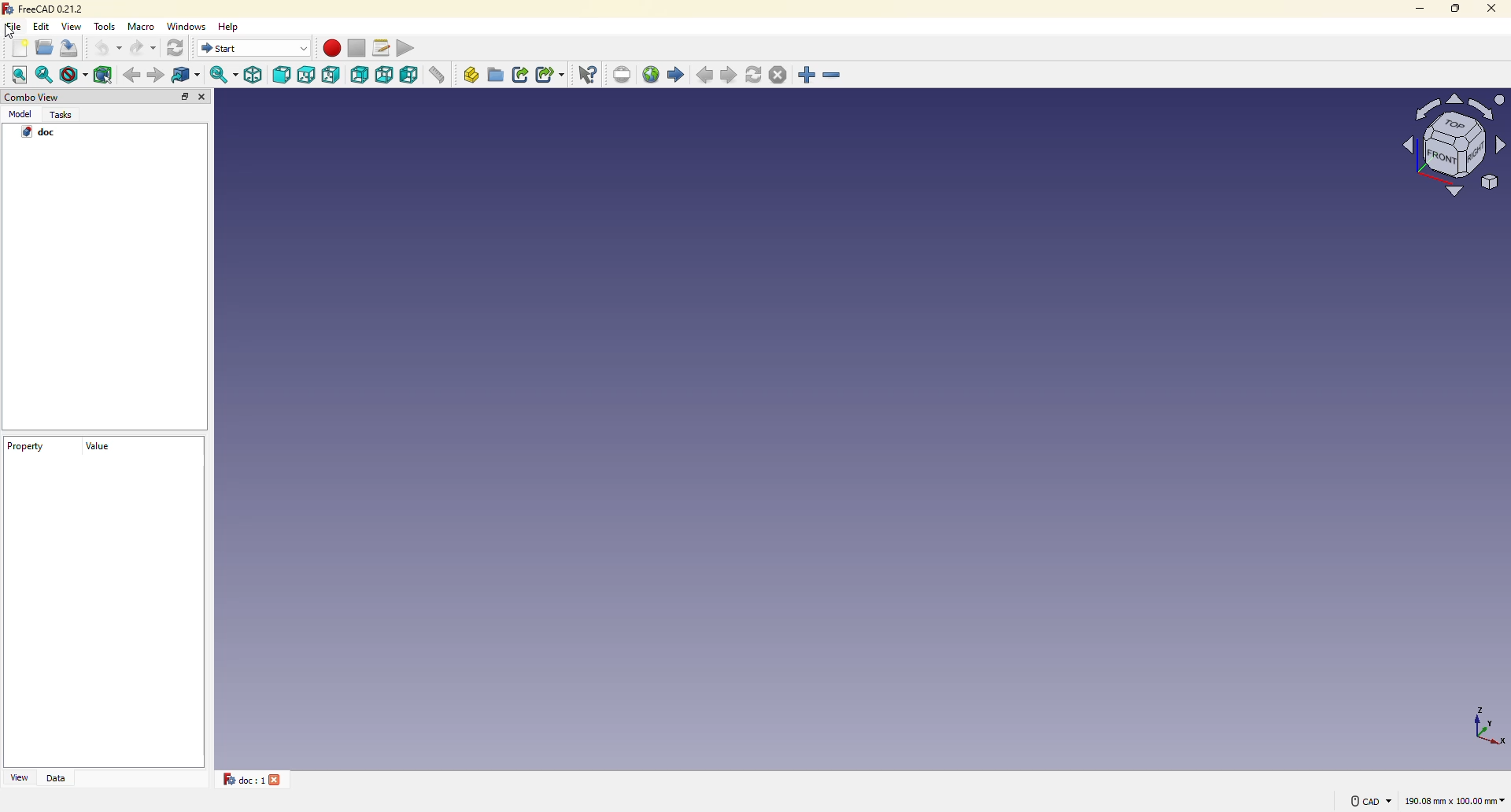  What do you see at coordinates (522, 75) in the screenshot?
I see `make link` at bounding box center [522, 75].